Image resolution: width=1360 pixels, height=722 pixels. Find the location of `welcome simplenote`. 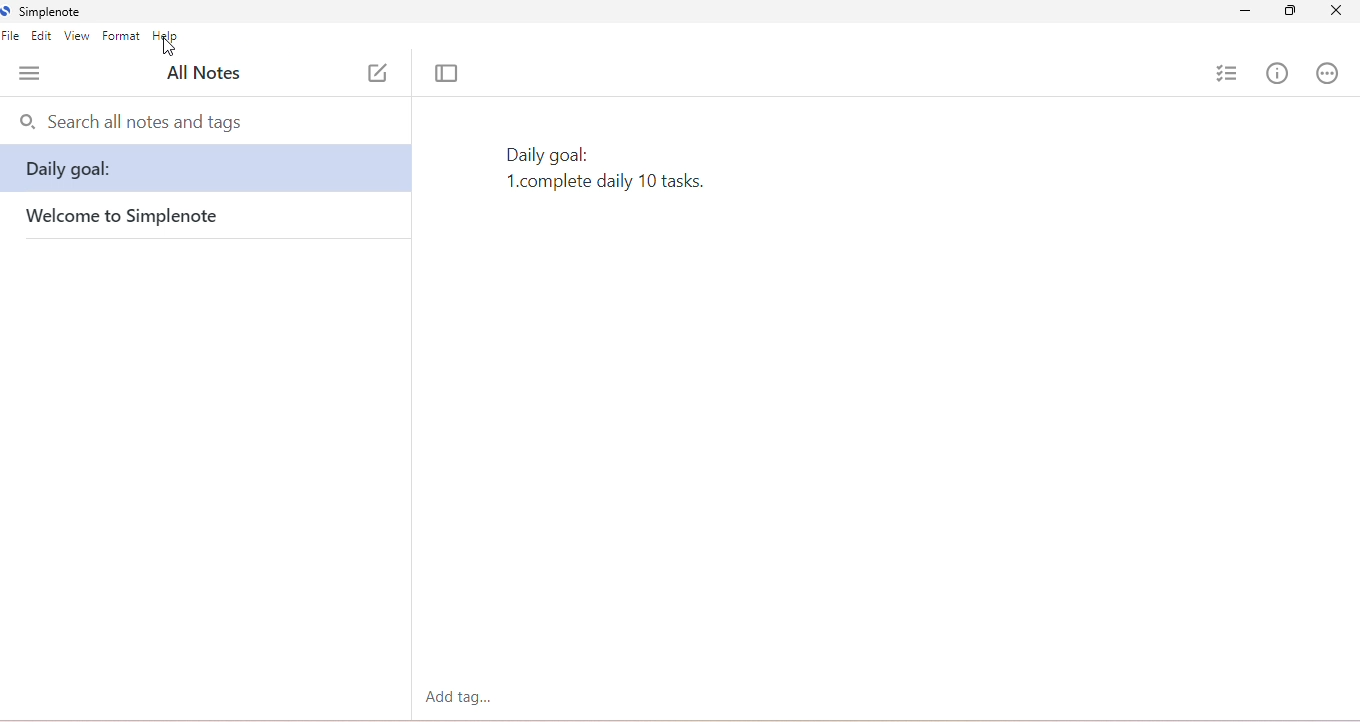

welcome simplenote is located at coordinates (124, 218).